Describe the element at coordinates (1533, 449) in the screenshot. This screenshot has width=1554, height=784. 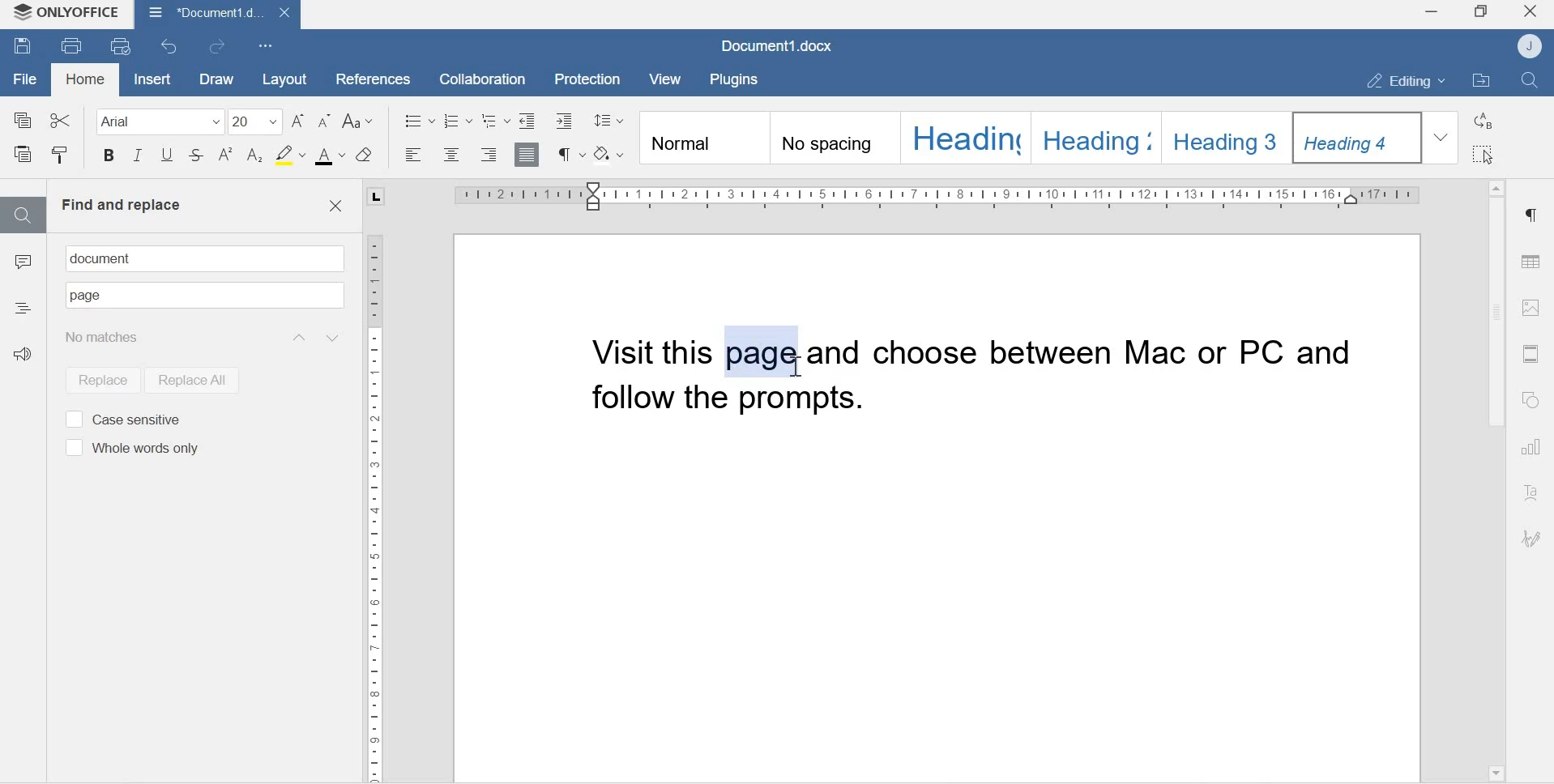
I see `Charts` at that location.